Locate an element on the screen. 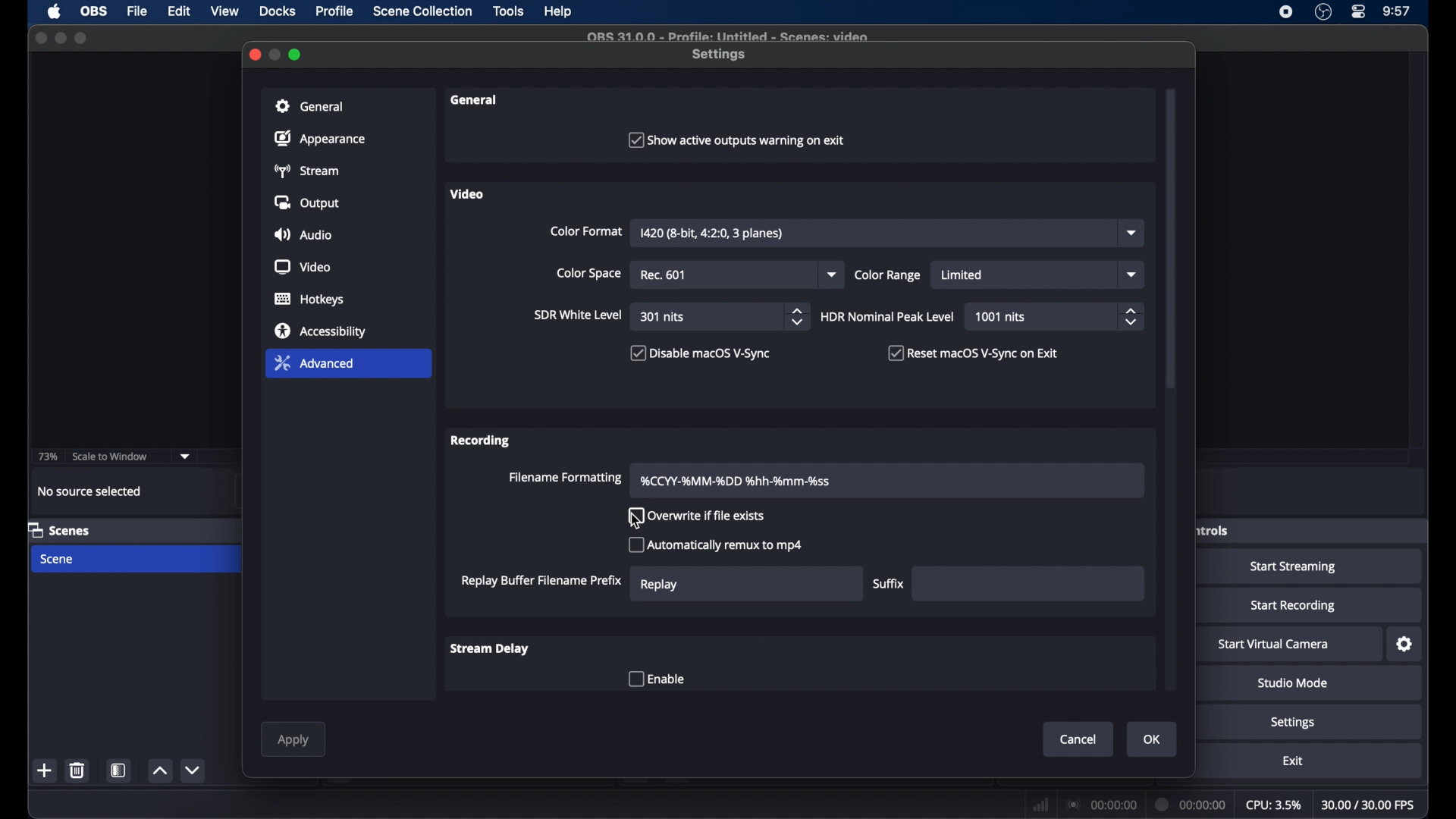  stream delay is located at coordinates (491, 649).